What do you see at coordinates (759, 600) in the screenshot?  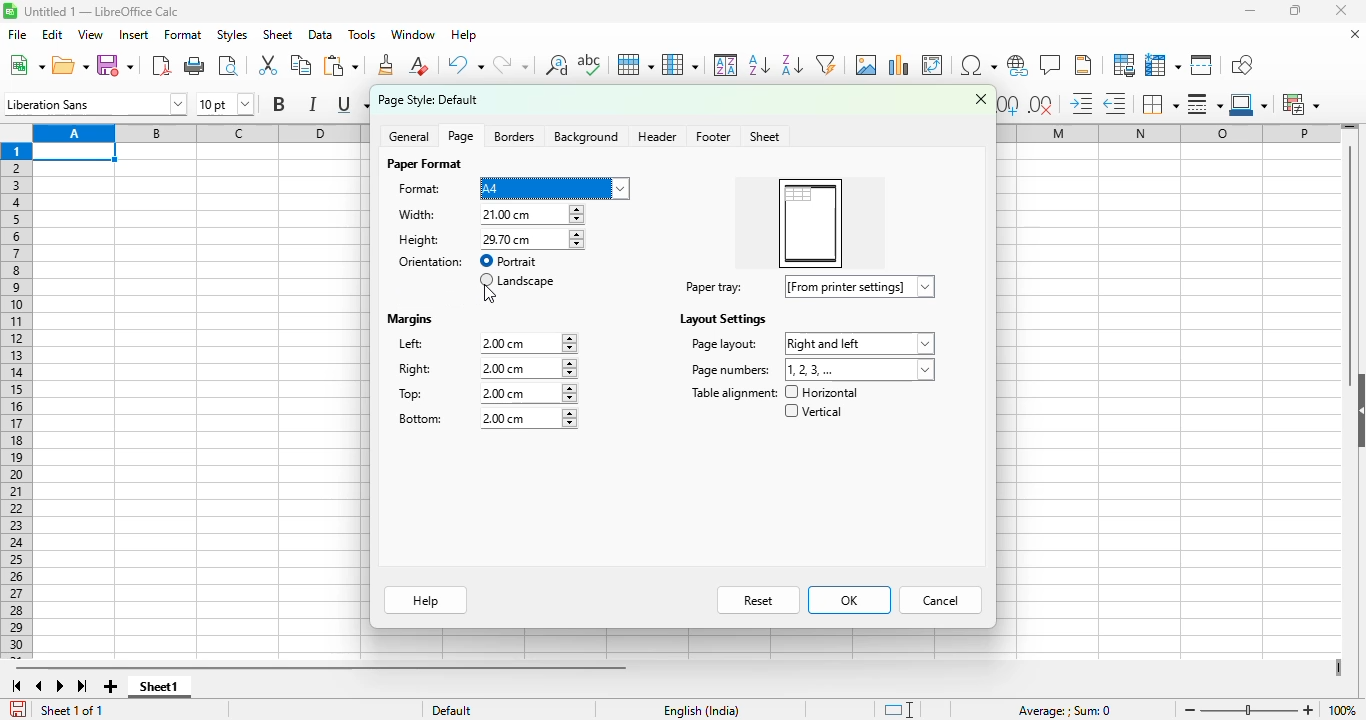 I see `reset` at bounding box center [759, 600].